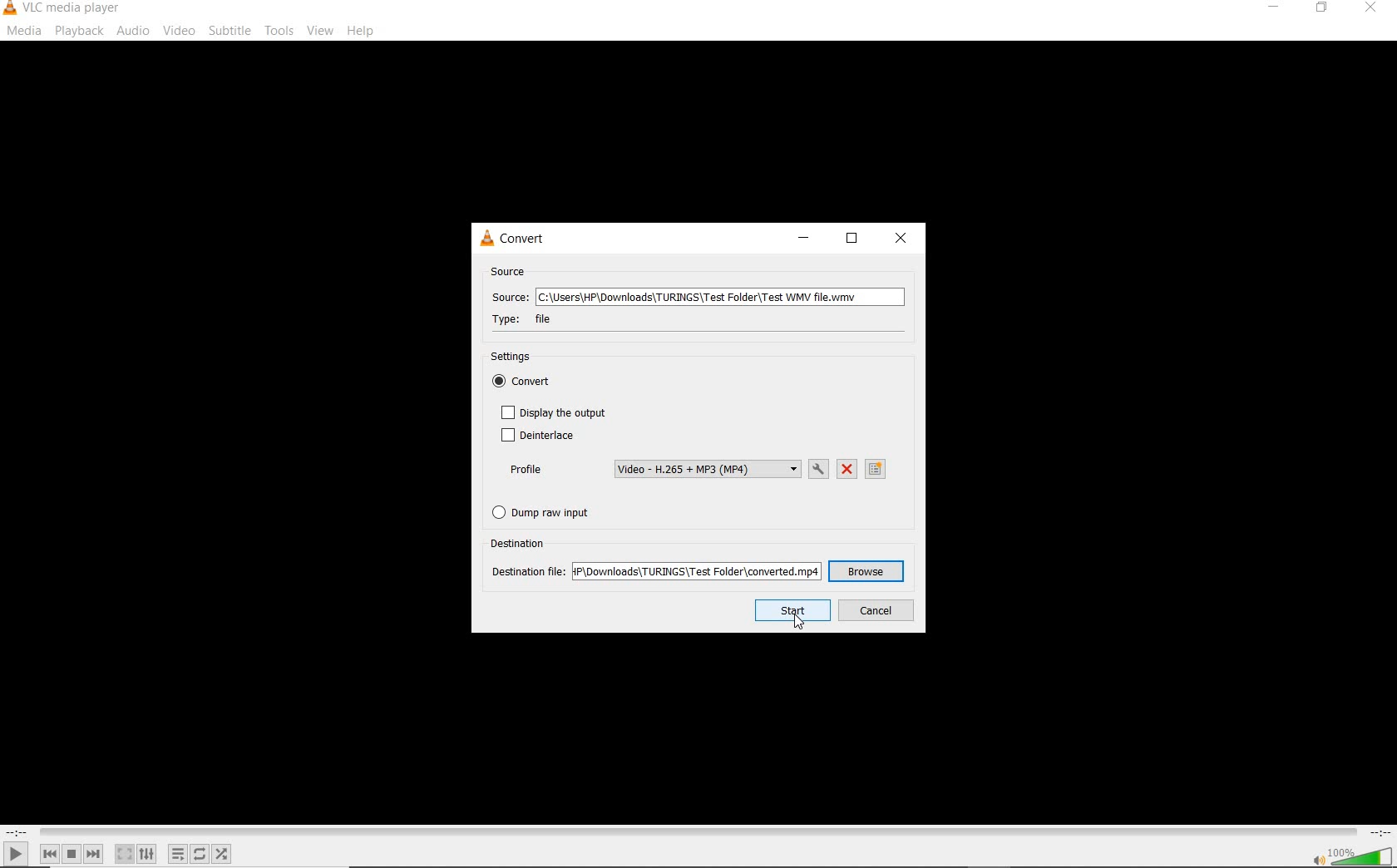 The width and height of the screenshot is (1397, 868). I want to click on CONVERT, so click(523, 239).